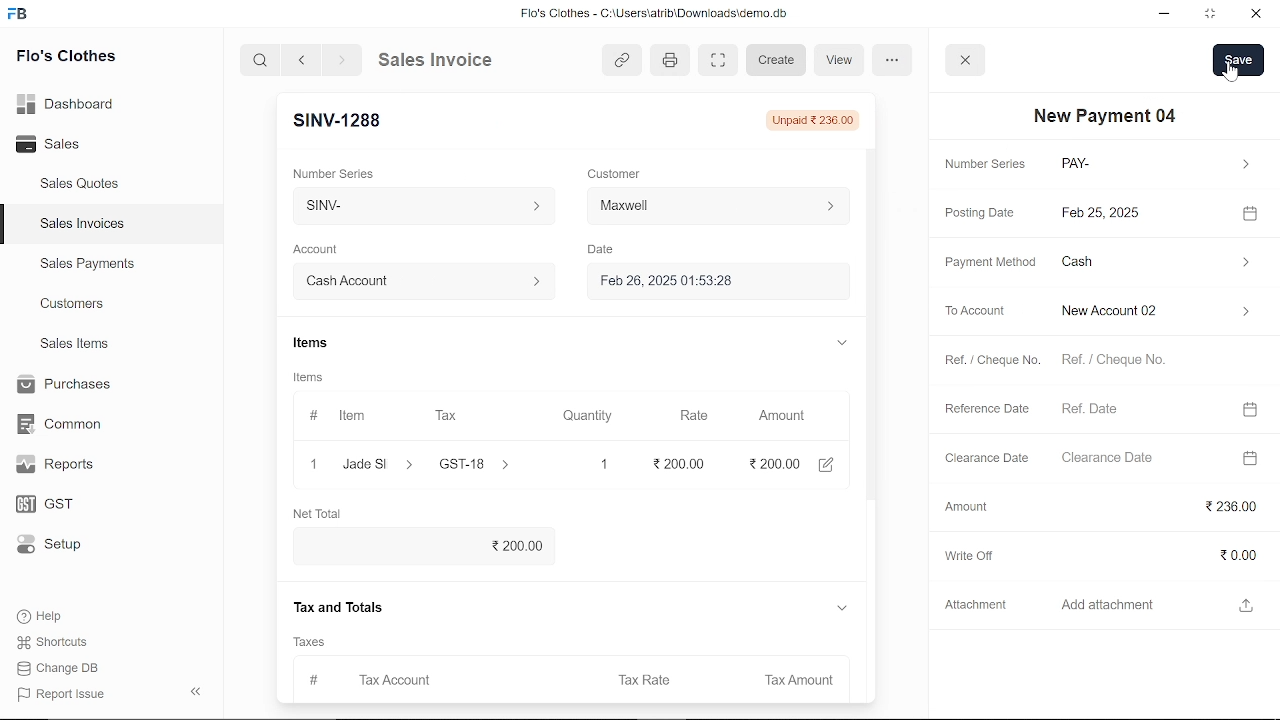 This screenshot has height=720, width=1280. What do you see at coordinates (63, 464) in the screenshot?
I see `Reports.` at bounding box center [63, 464].